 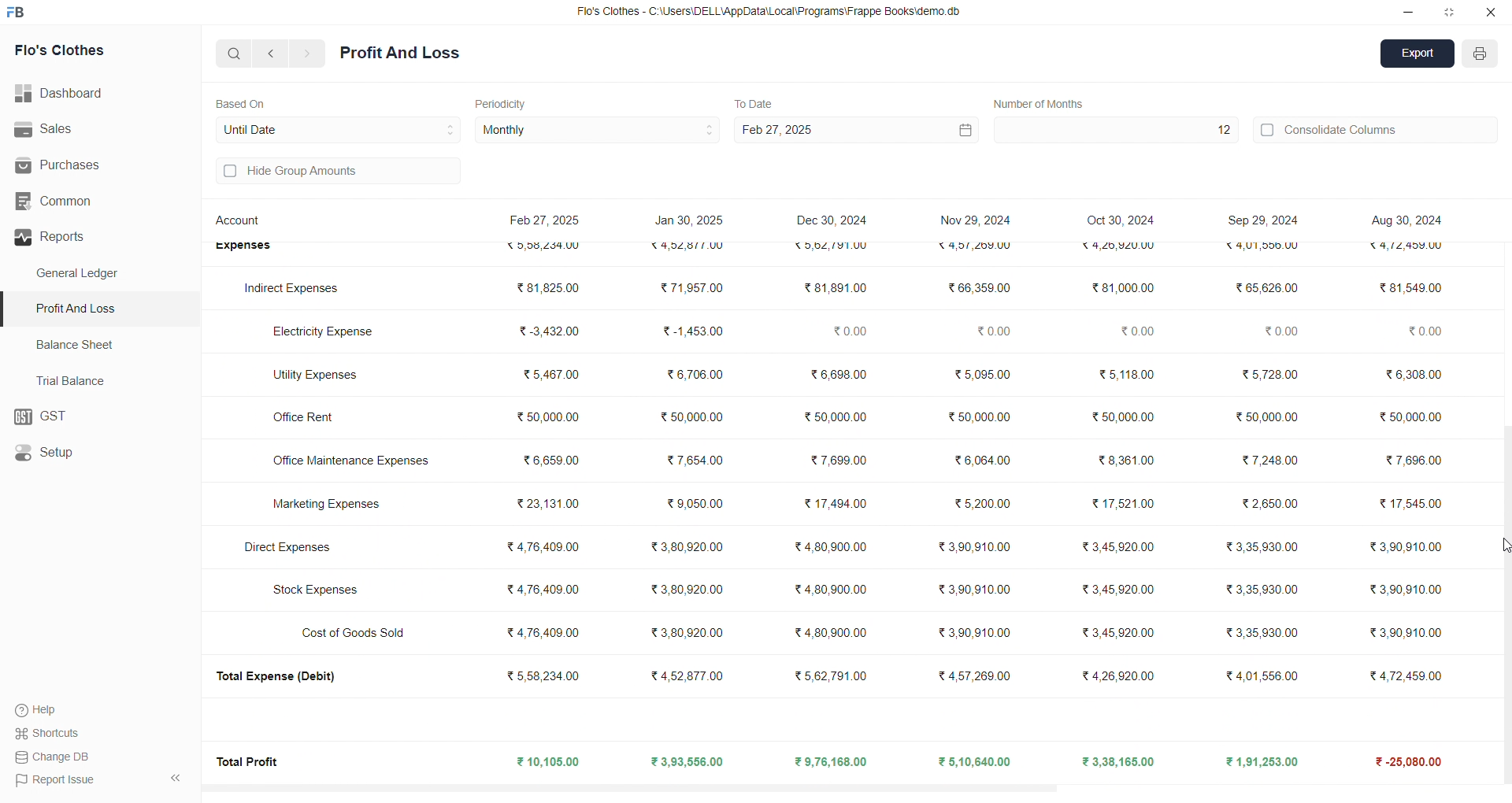 What do you see at coordinates (1266, 288) in the screenshot?
I see `₹65,626.00` at bounding box center [1266, 288].